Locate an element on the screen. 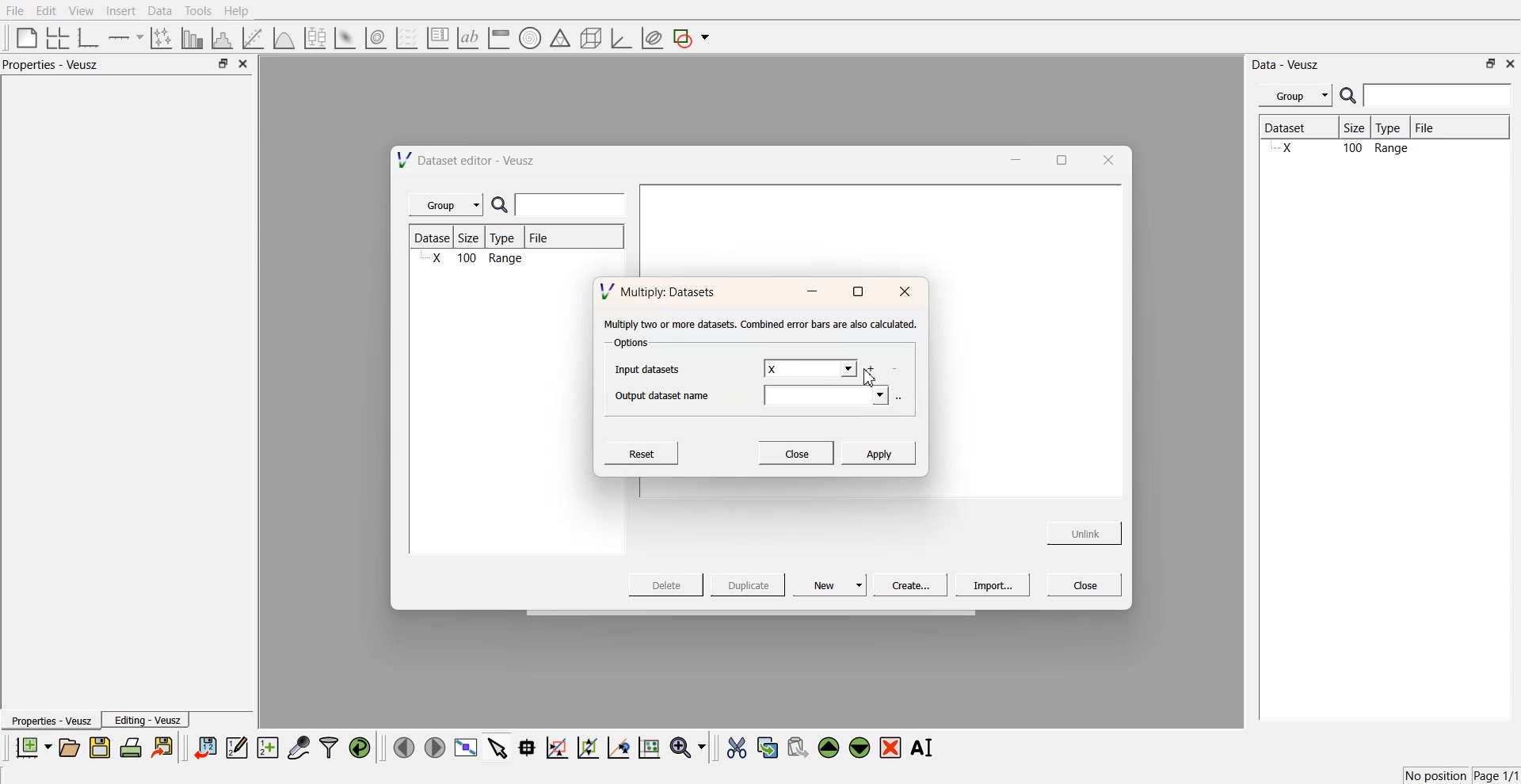 The height and width of the screenshot is (784, 1521). view plot full screen is located at coordinates (465, 748).